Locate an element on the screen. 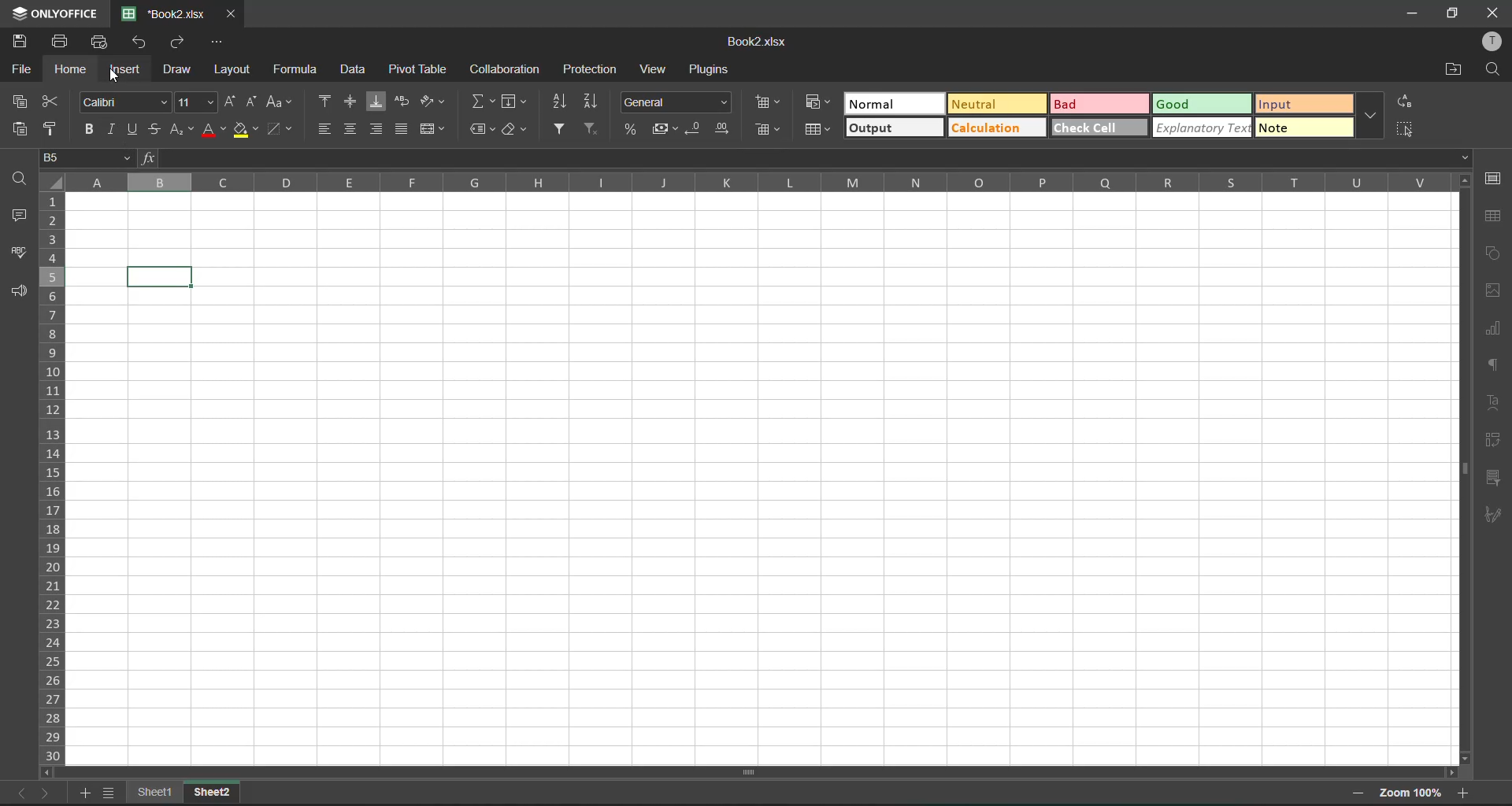 The image size is (1512, 806). spellcheck is located at coordinates (19, 255).